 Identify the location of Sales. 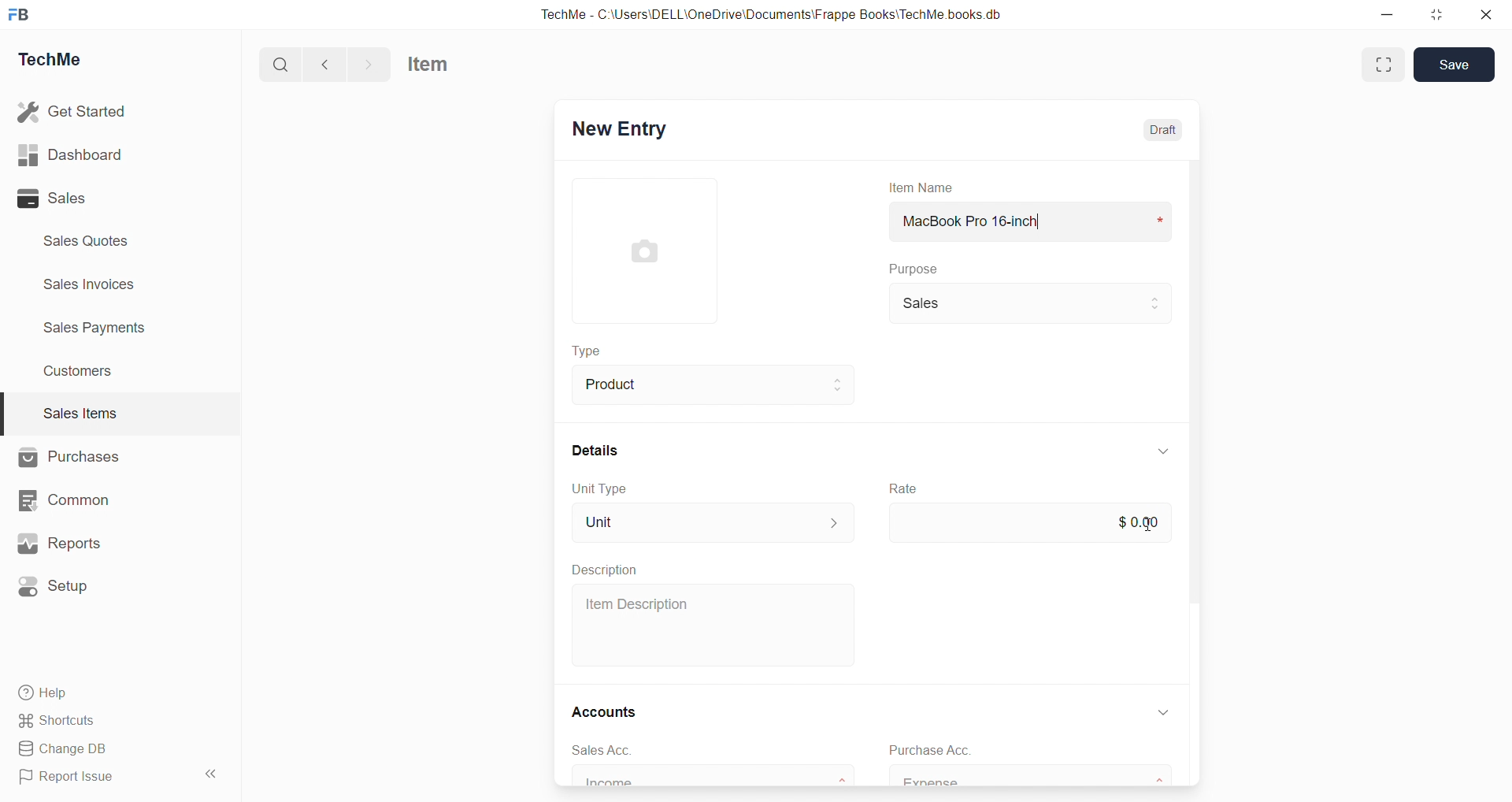
(1028, 304).